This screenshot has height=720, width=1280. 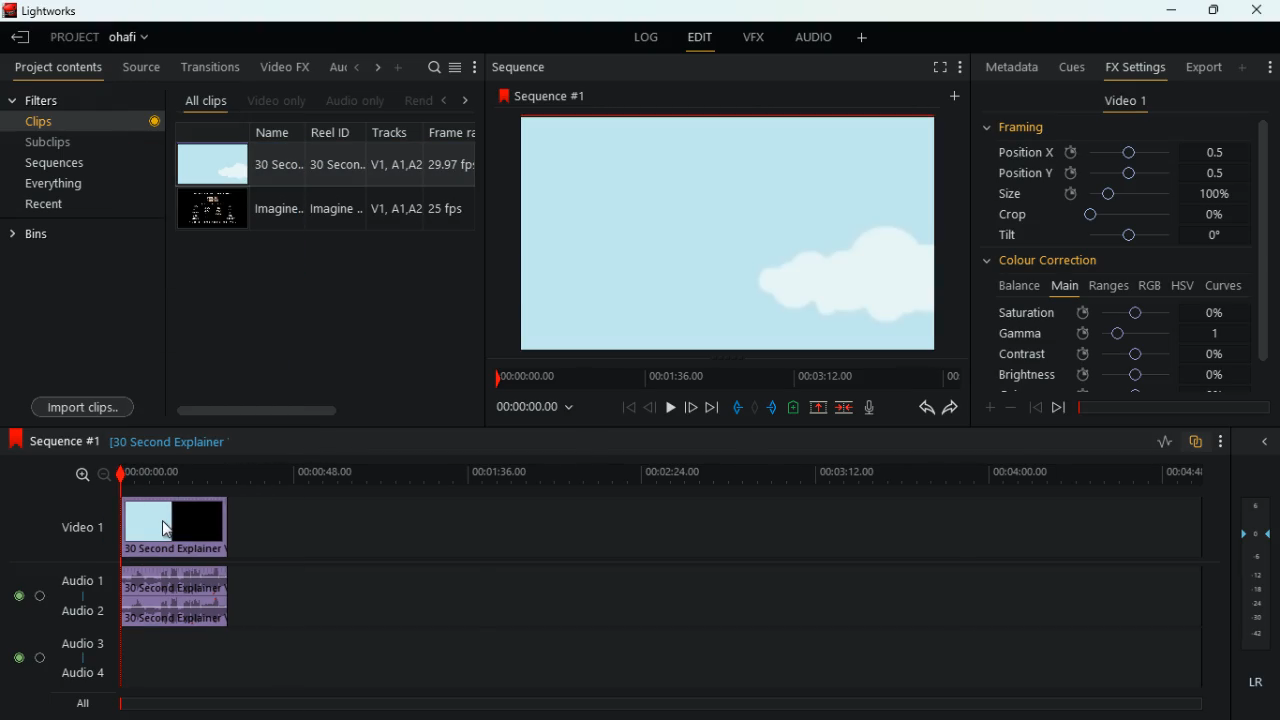 What do you see at coordinates (1016, 286) in the screenshot?
I see `balance` at bounding box center [1016, 286].